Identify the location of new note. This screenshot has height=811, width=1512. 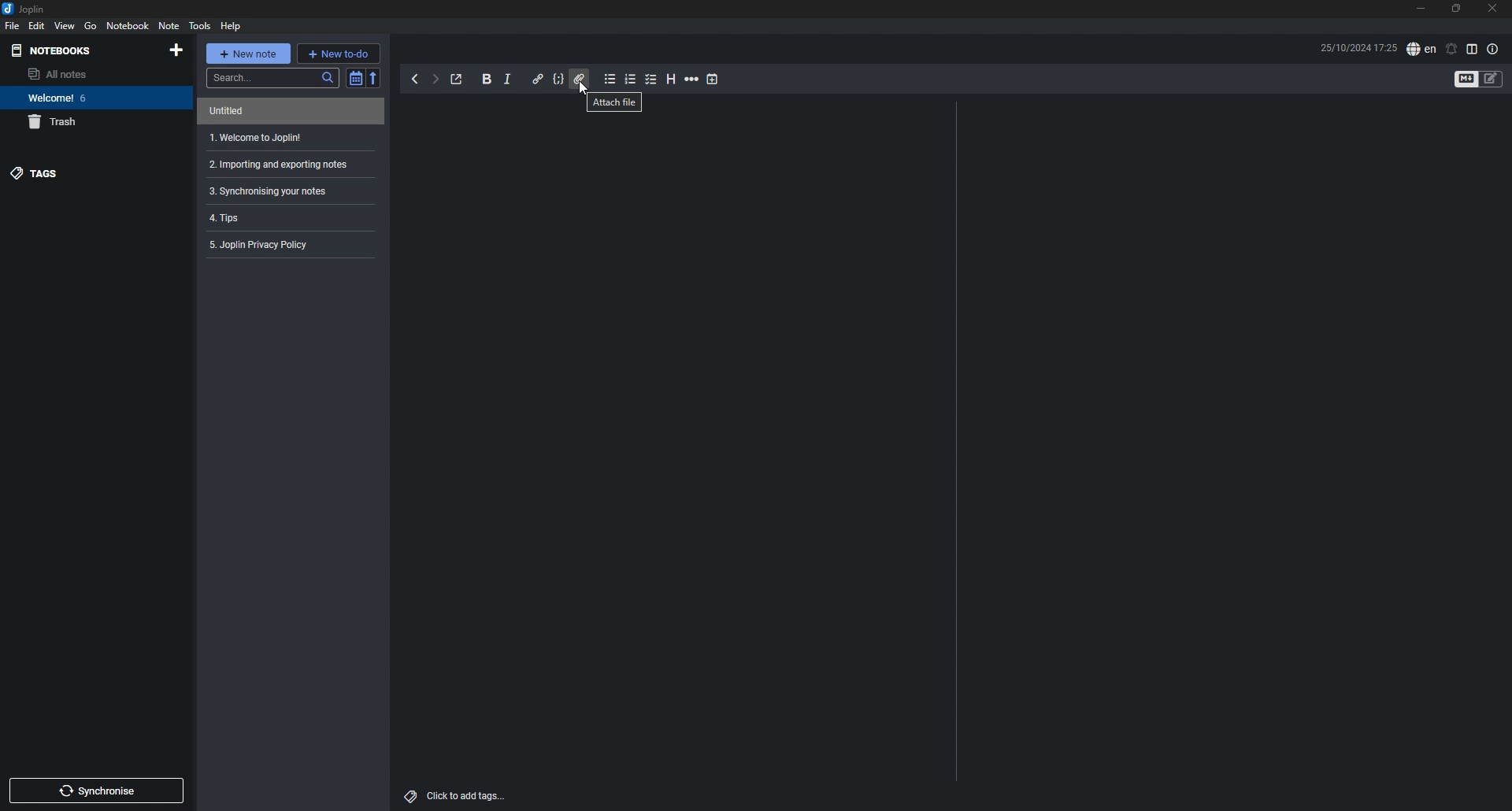
(248, 54).